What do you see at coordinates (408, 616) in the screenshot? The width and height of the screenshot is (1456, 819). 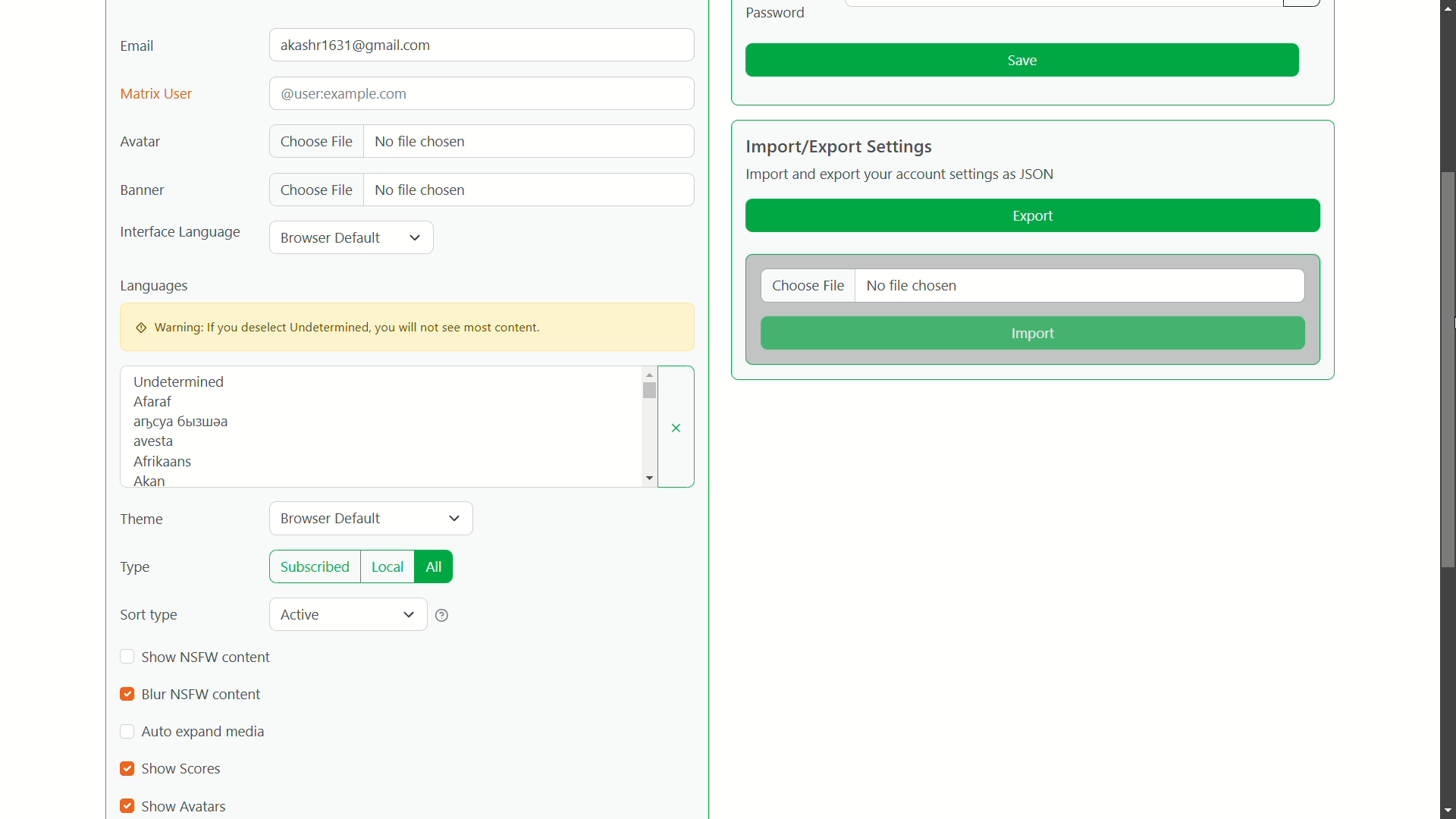 I see `dropdown` at bounding box center [408, 616].